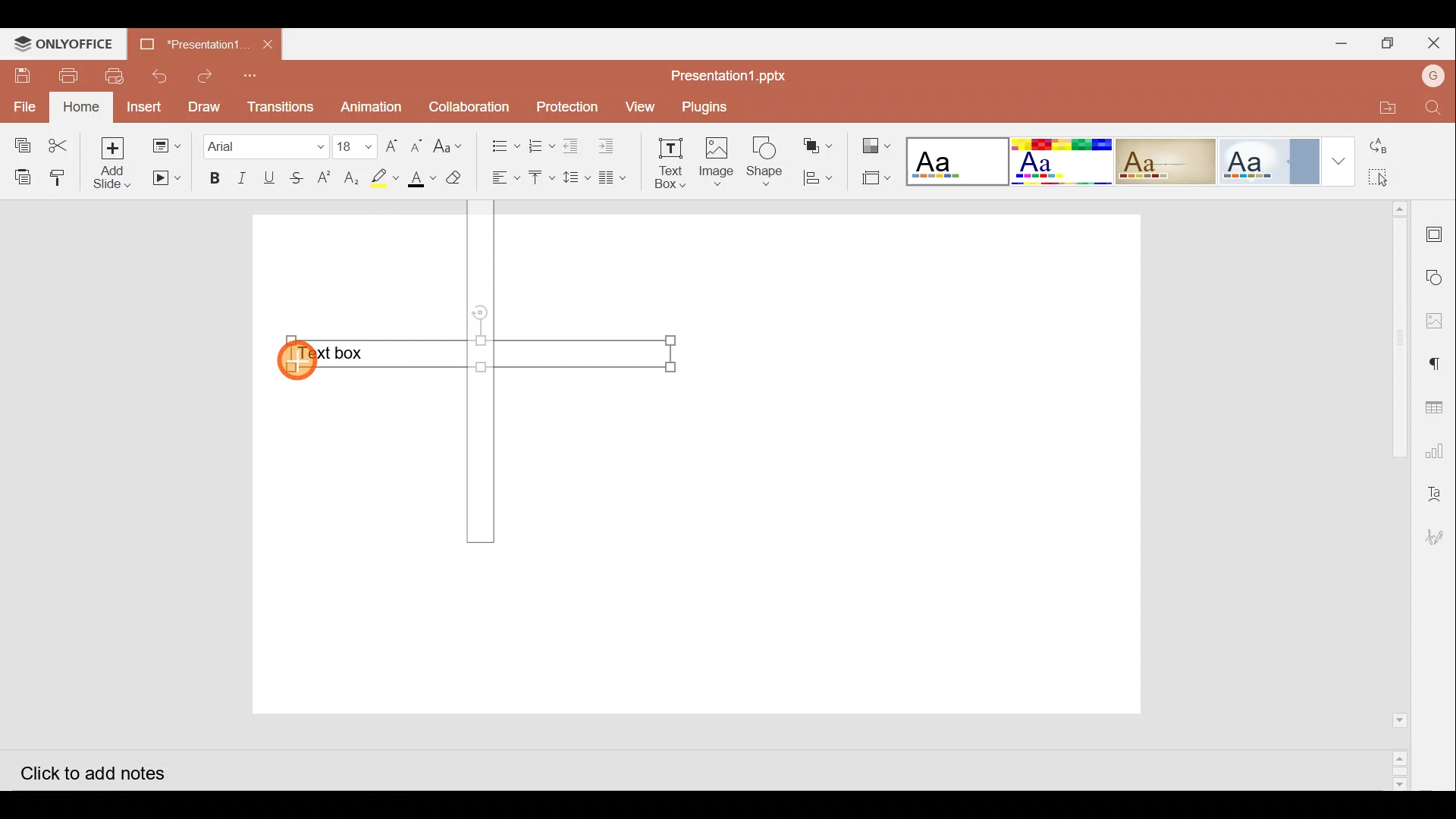 Image resolution: width=1456 pixels, height=819 pixels. Describe the element at coordinates (209, 179) in the screenshot. I see `Bold` at that location.